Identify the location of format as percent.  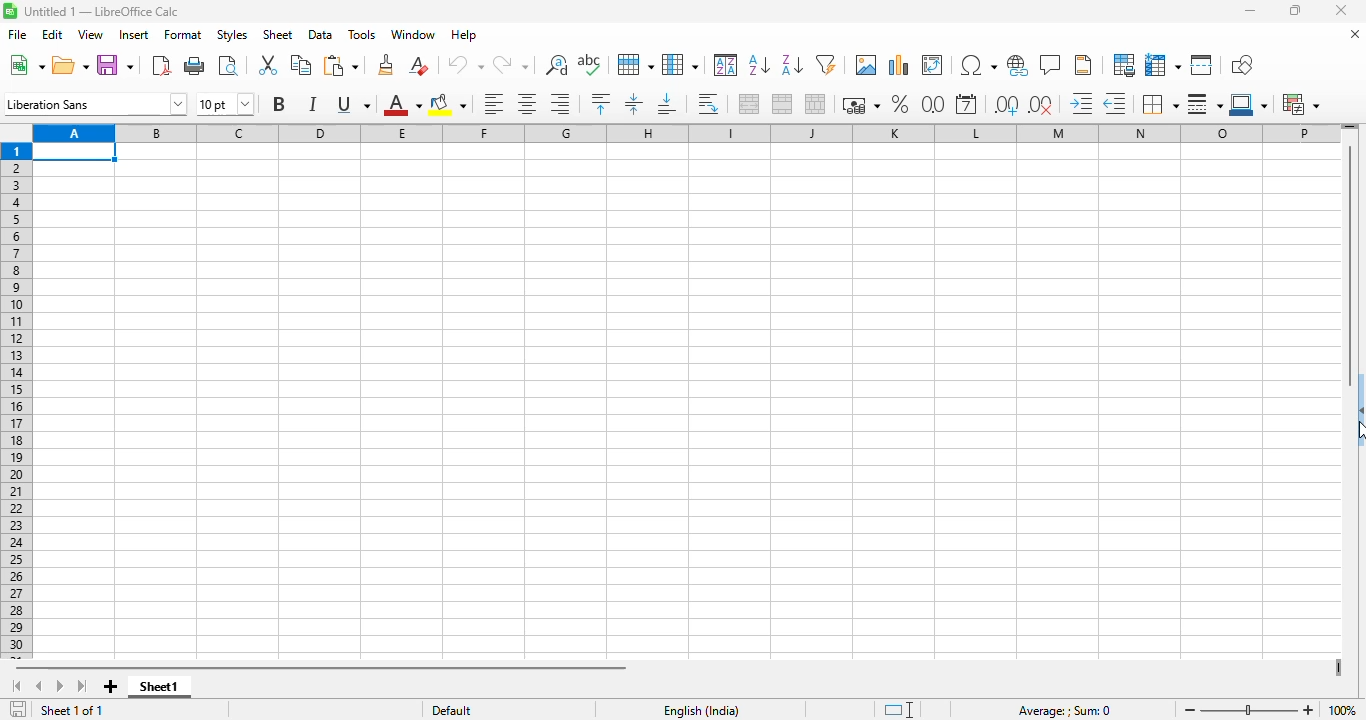
(900, 104).